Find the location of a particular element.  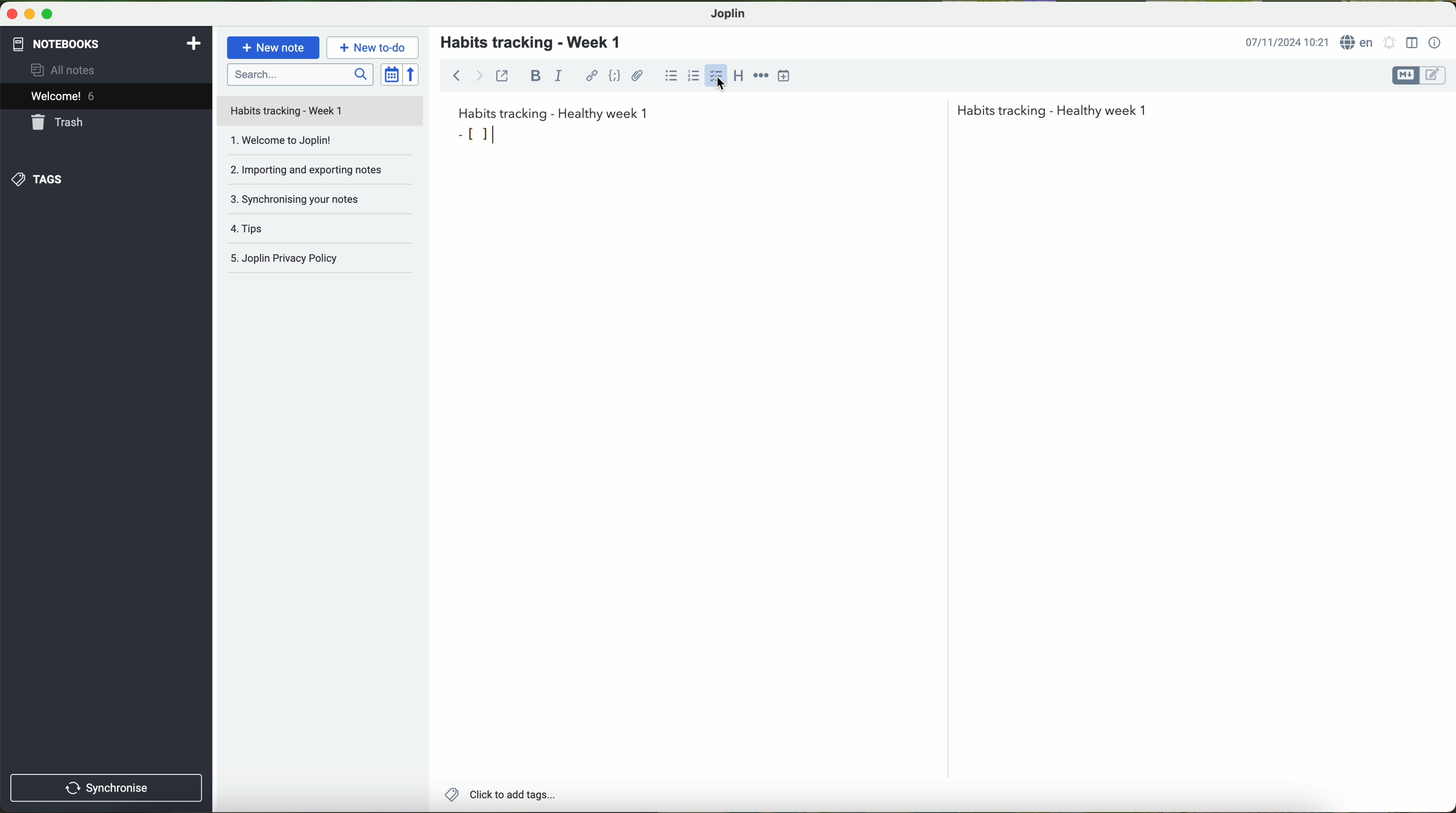

bullet point is located at coordinates (476, 135).